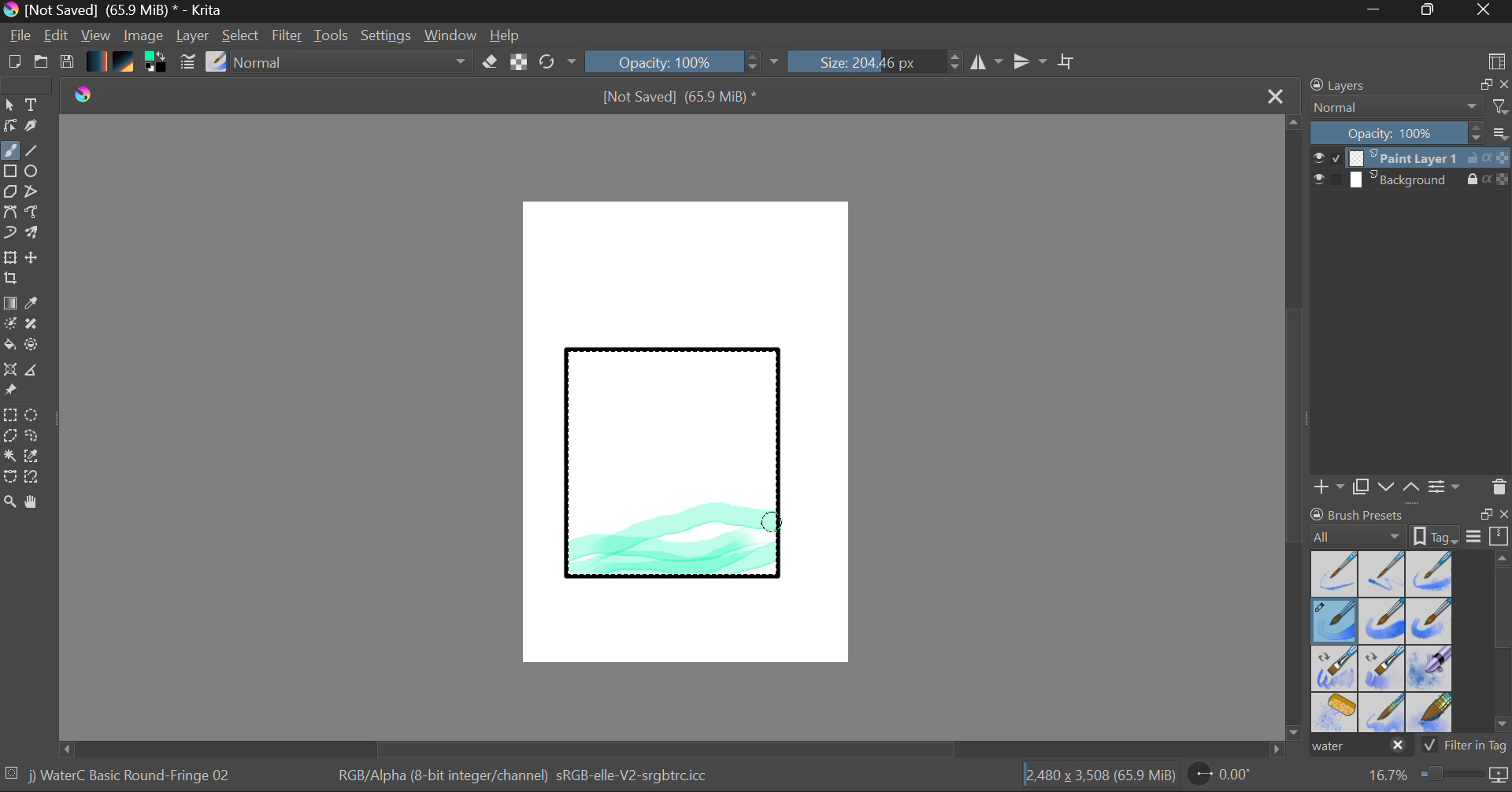 The image size is (1512, 792). What do you see at coordinates (9, 233) in the screenshot?
I see `Dynamic Brush` at bounding box center [9, 233].